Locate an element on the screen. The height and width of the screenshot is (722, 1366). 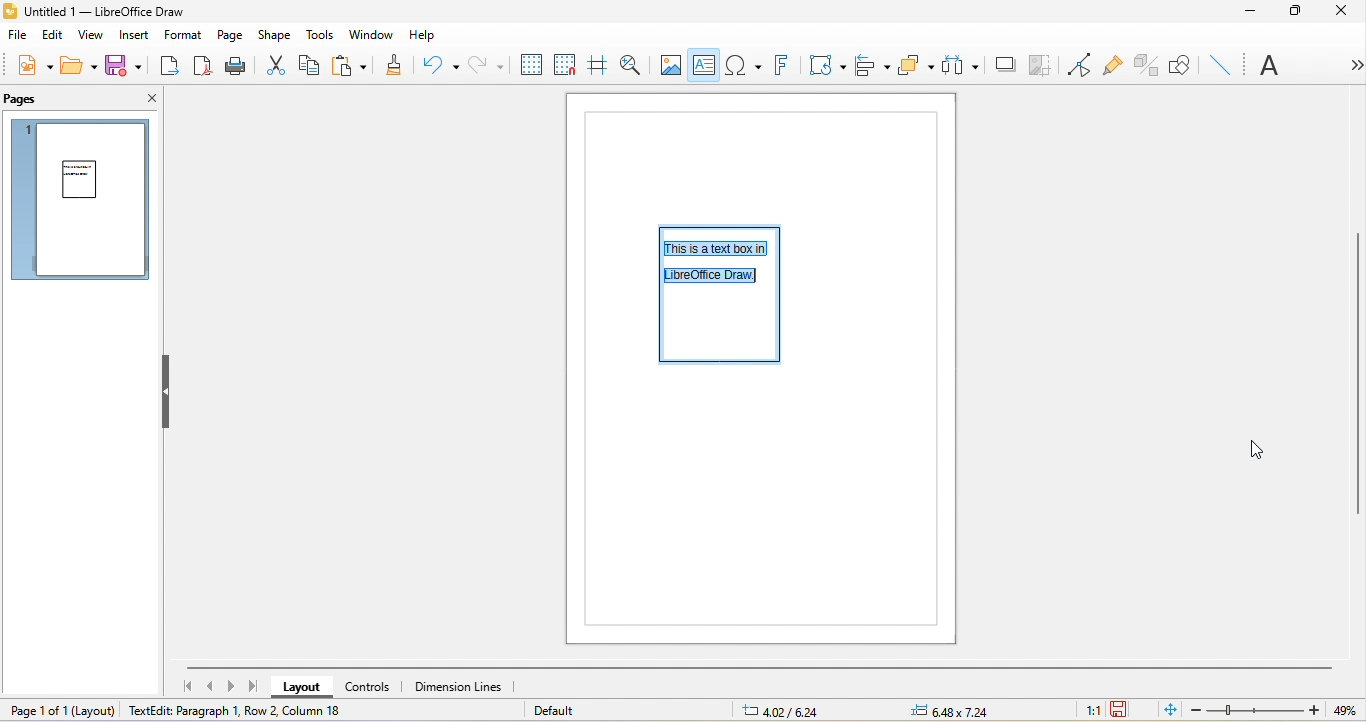
redo is located at coordinates (488, 66).